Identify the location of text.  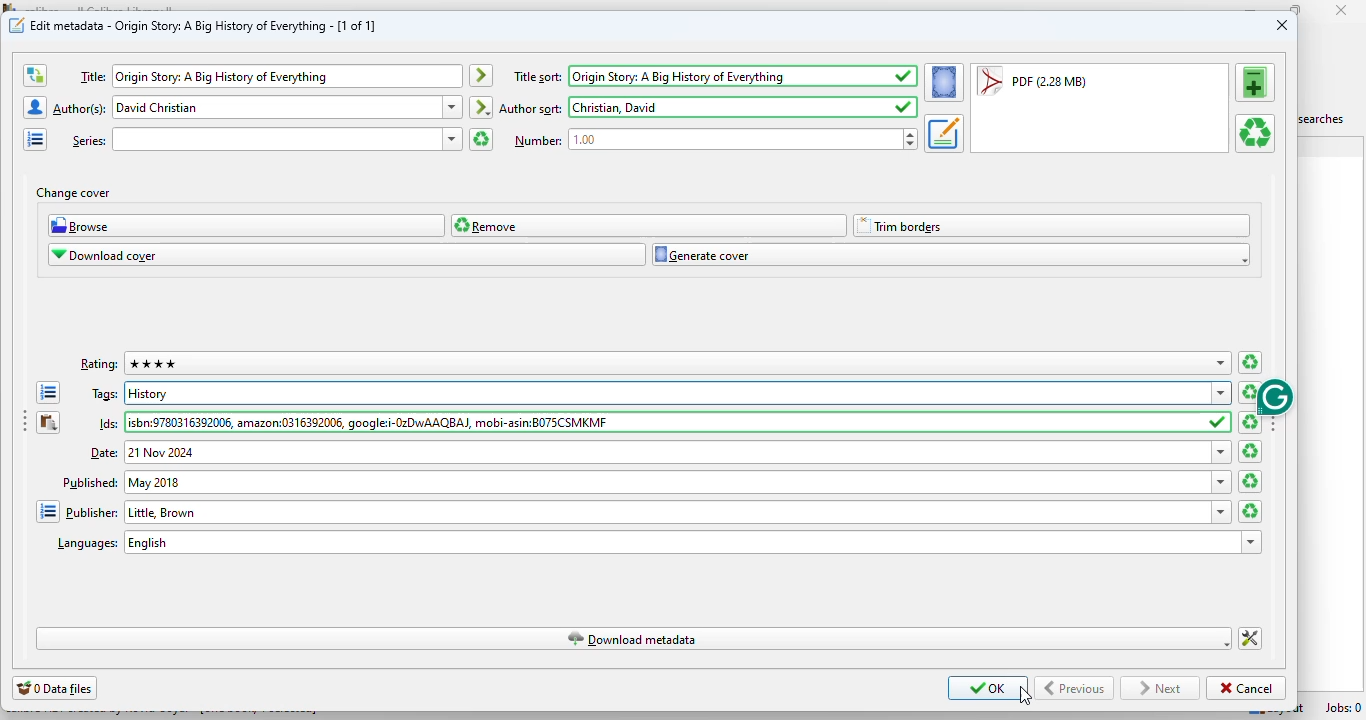
(88, 140).